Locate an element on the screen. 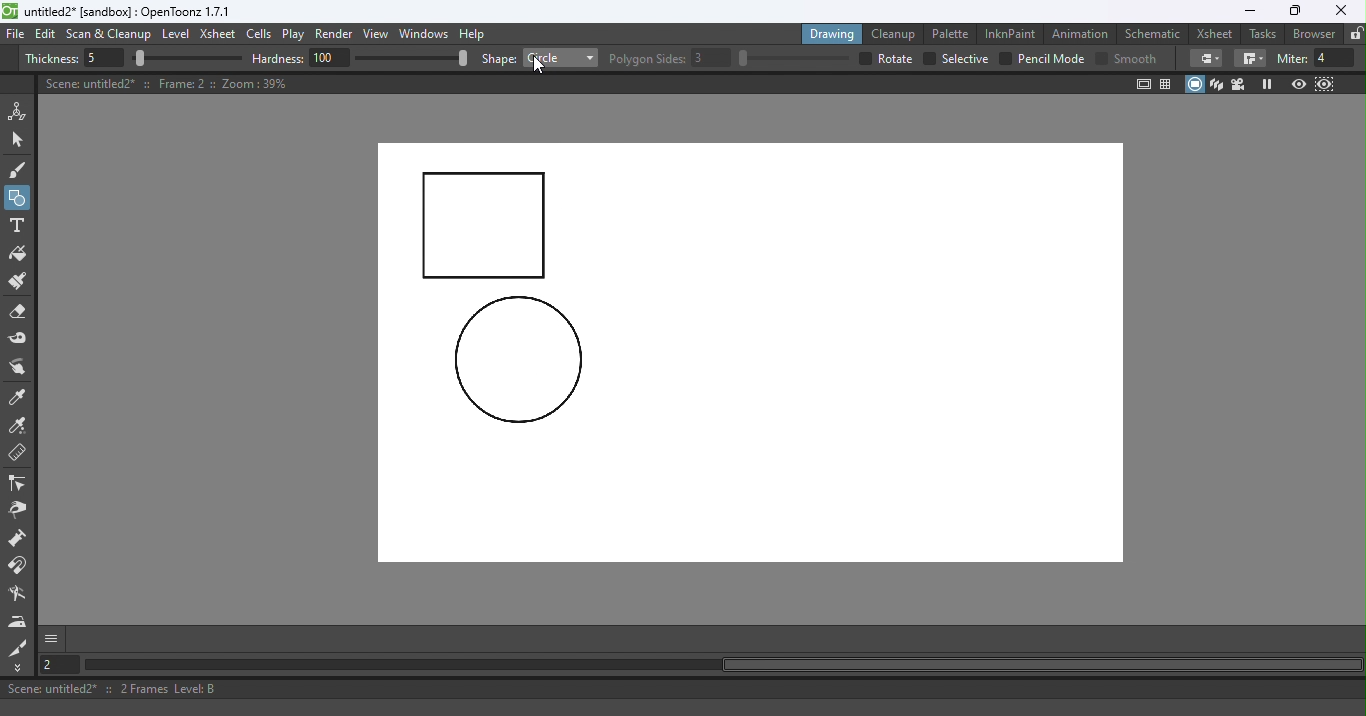 The width and height of the screenshot is (1366, 716). Brush tool is located at coordinates (22, 169).